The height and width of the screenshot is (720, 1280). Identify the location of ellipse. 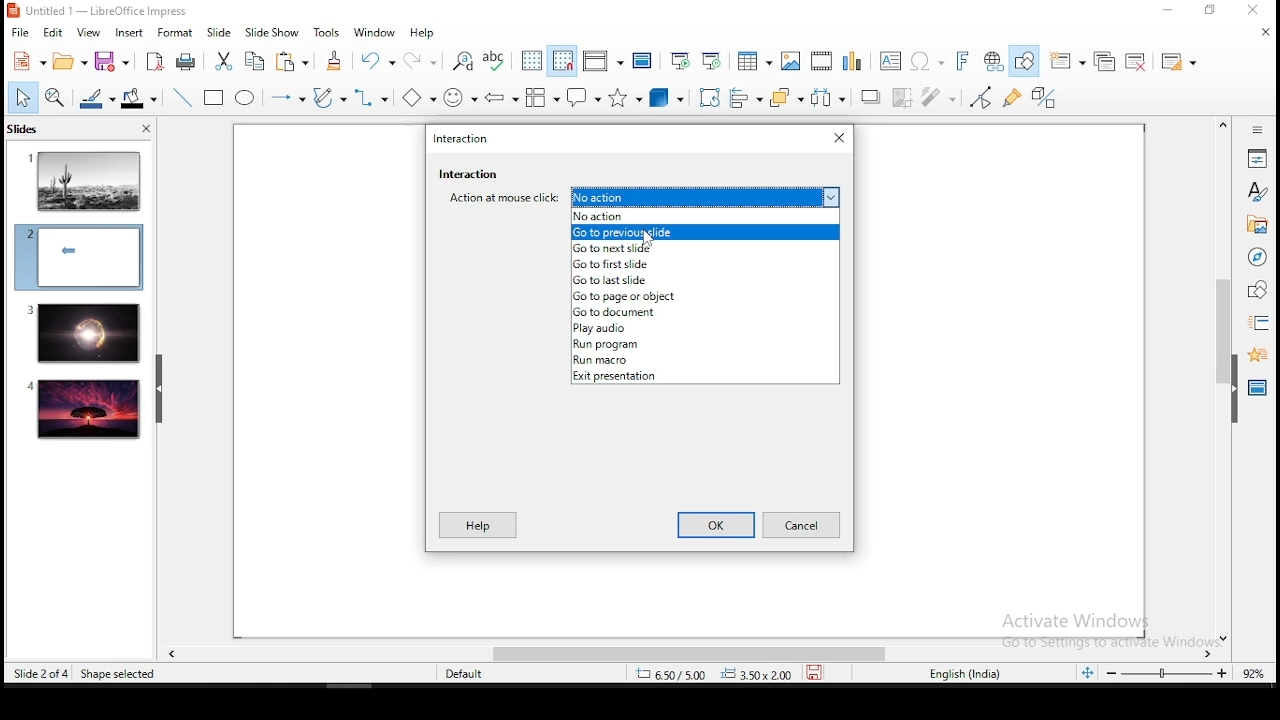
(244, 98).